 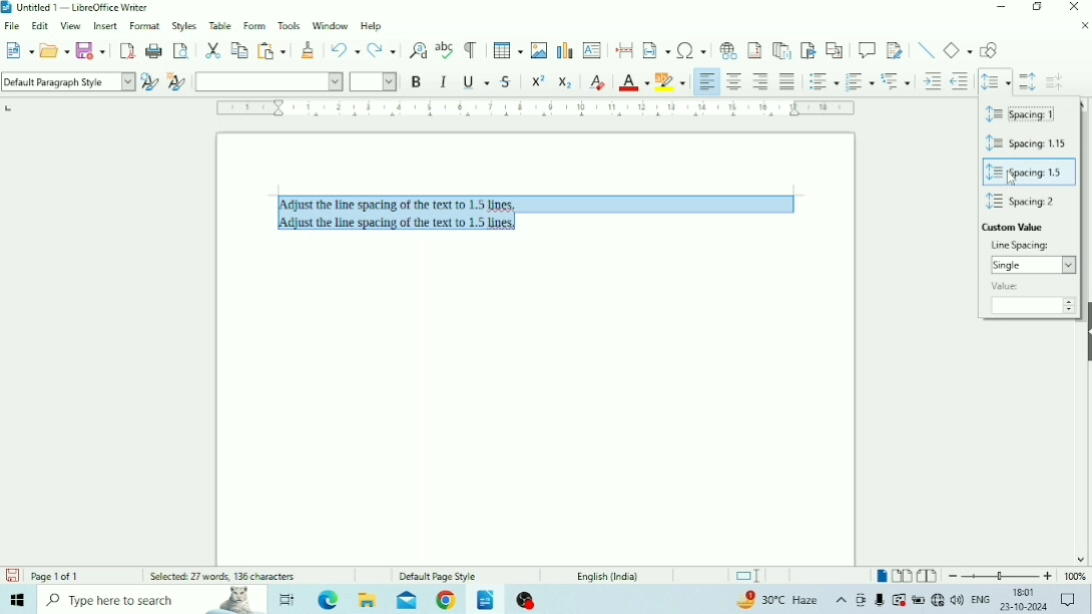 I want to click on Logo, so click(x=7, y=8).